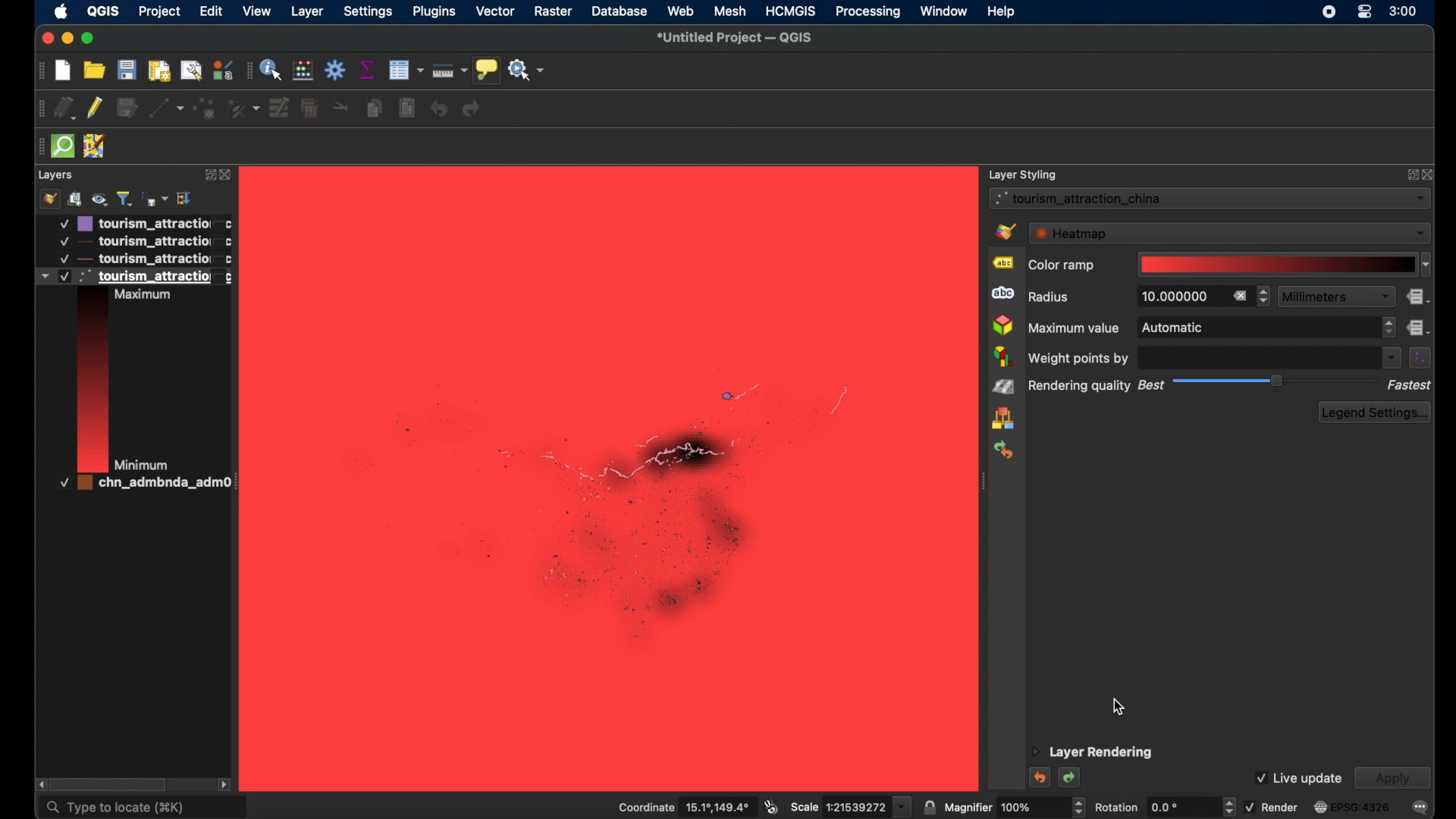 This screenshot has width=1456, height=819. Describe the element at coordinates (450, 71) in the screenshot. I see `measure line` at that location.